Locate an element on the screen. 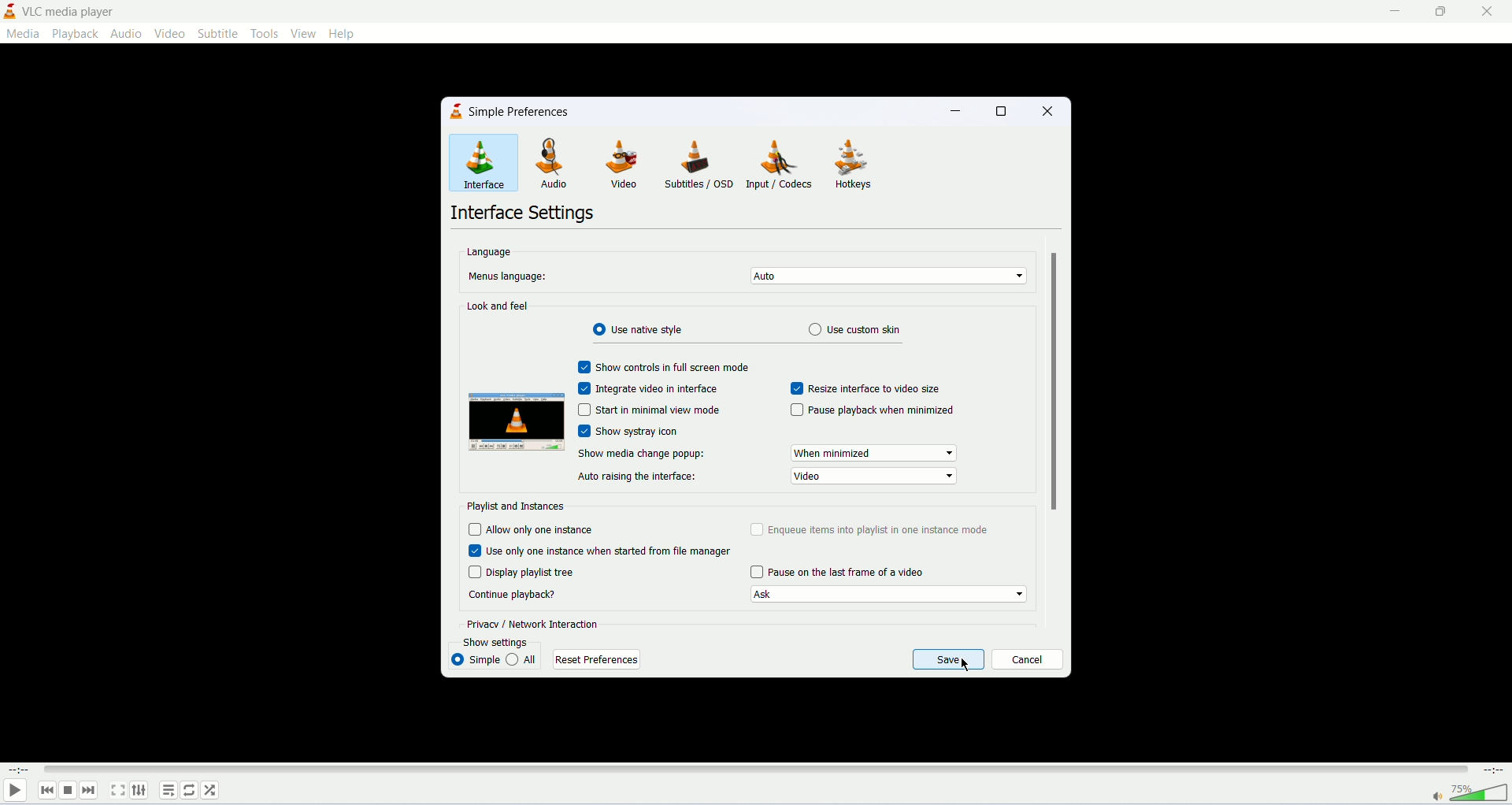  audio is located at coordinates (547, 161).